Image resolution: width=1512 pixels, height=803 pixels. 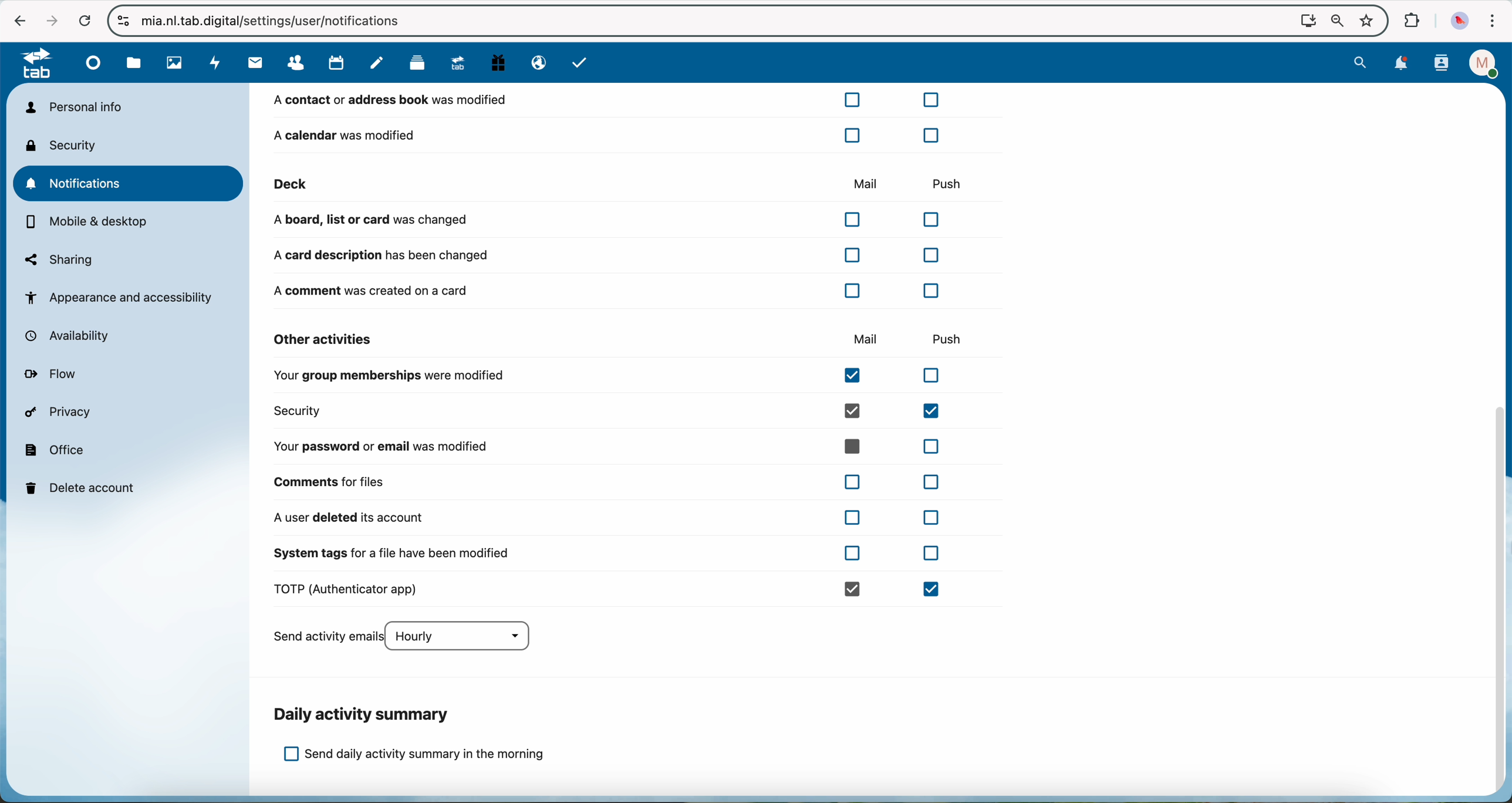 I want to click on flow, so click(x=54, y=375).